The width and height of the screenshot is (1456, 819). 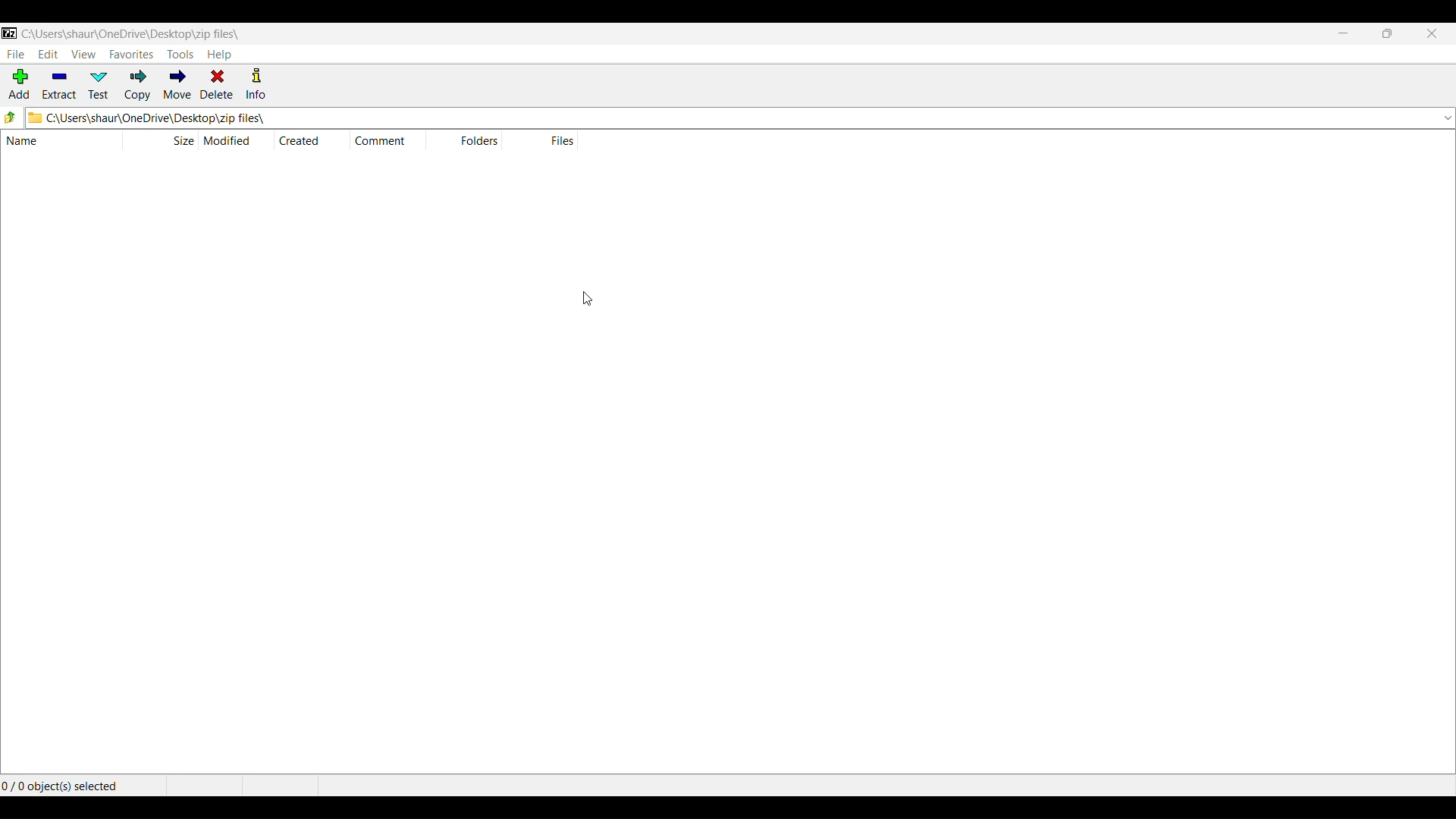 I want to click on CLOSE, so click(x=1431, y=35).